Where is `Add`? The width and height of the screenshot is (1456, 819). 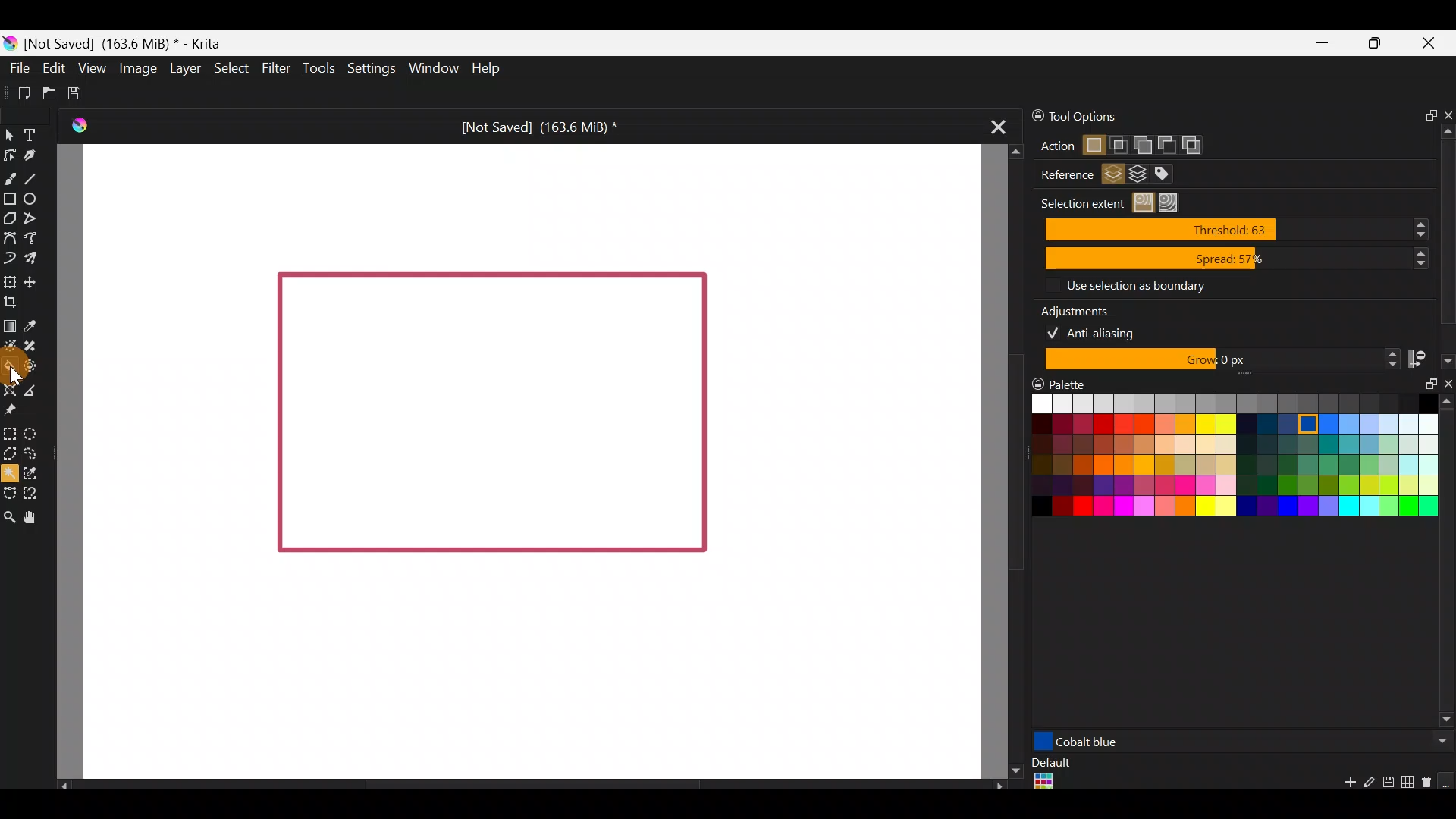 Add is located at coordinates (1141, 142).